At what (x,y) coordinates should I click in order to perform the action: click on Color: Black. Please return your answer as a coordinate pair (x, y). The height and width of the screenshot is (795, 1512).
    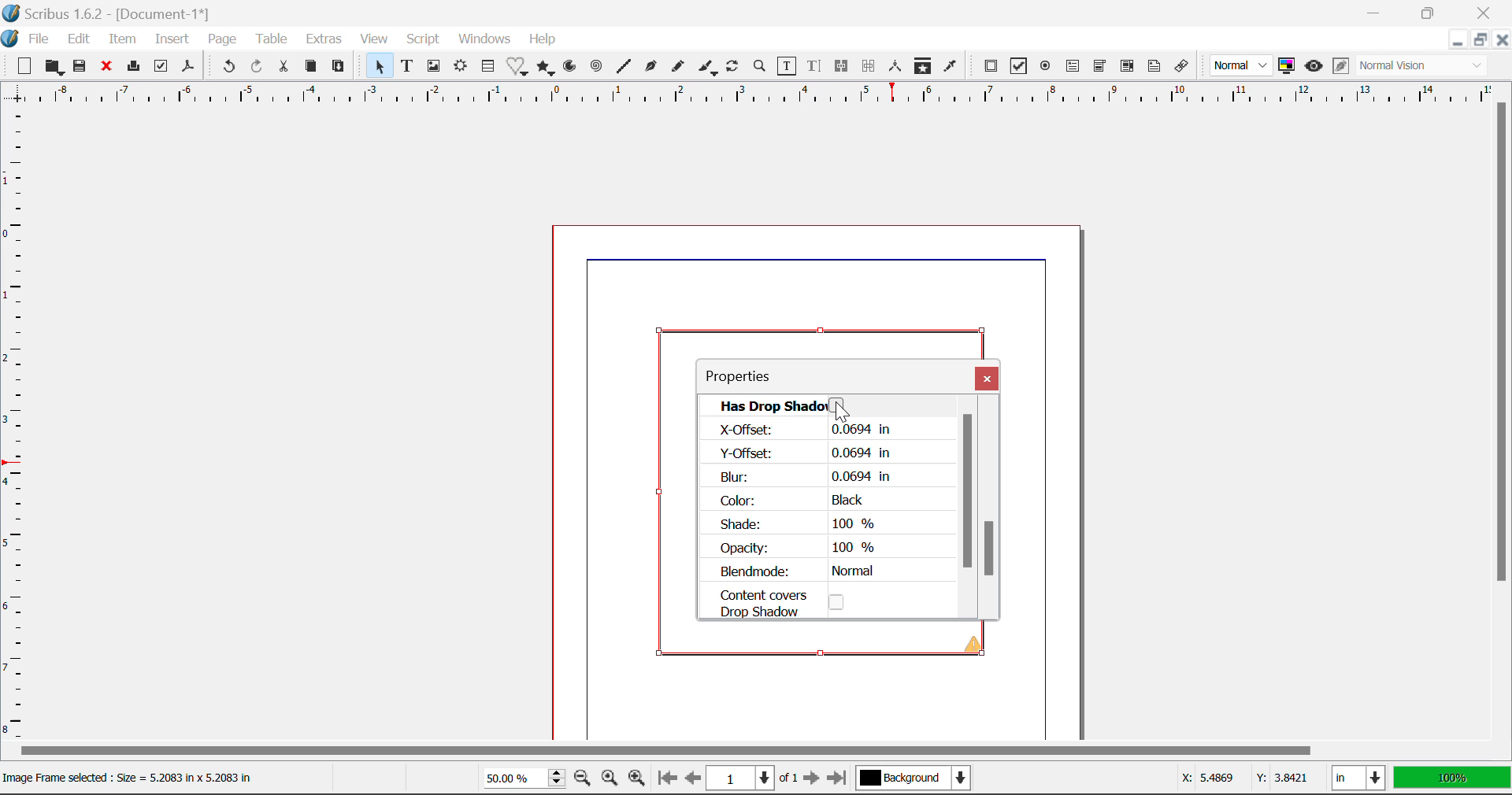
    Looking at the image, I should click on (795, 500).